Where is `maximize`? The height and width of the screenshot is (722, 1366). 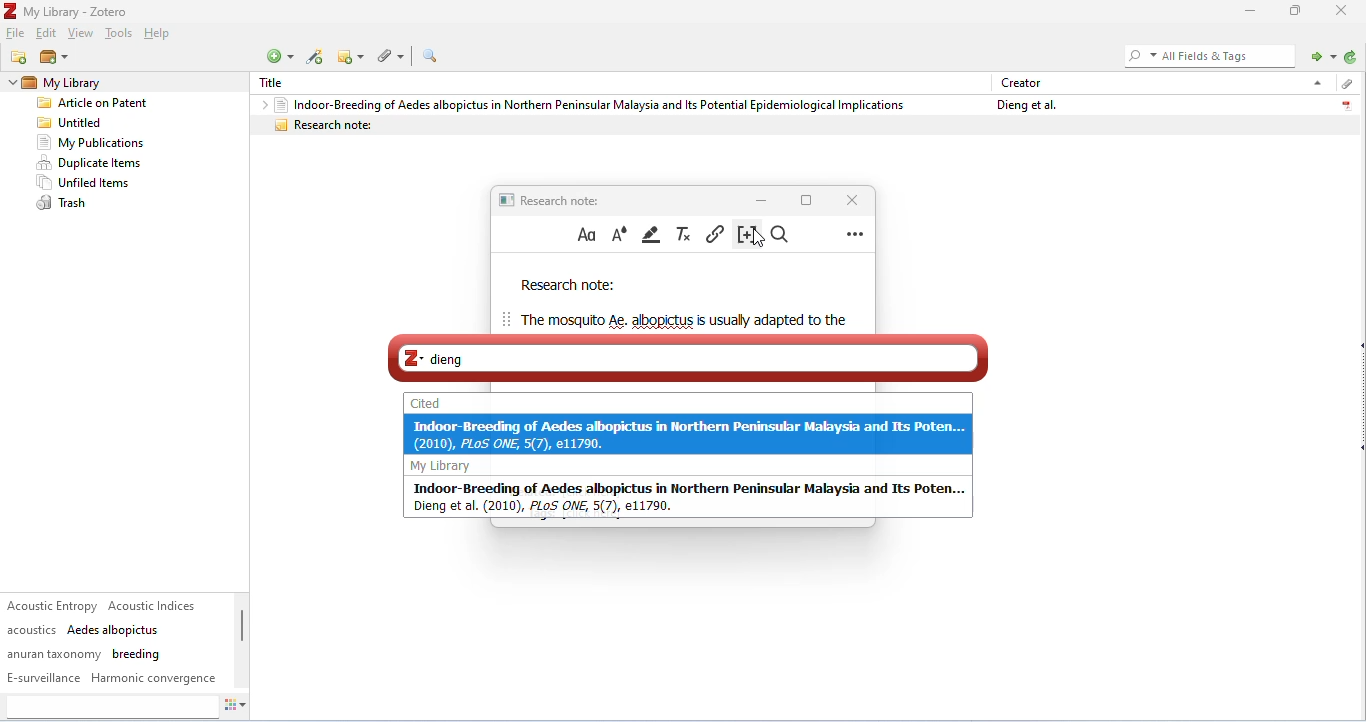 maximize is located at coordinates (806, 199).